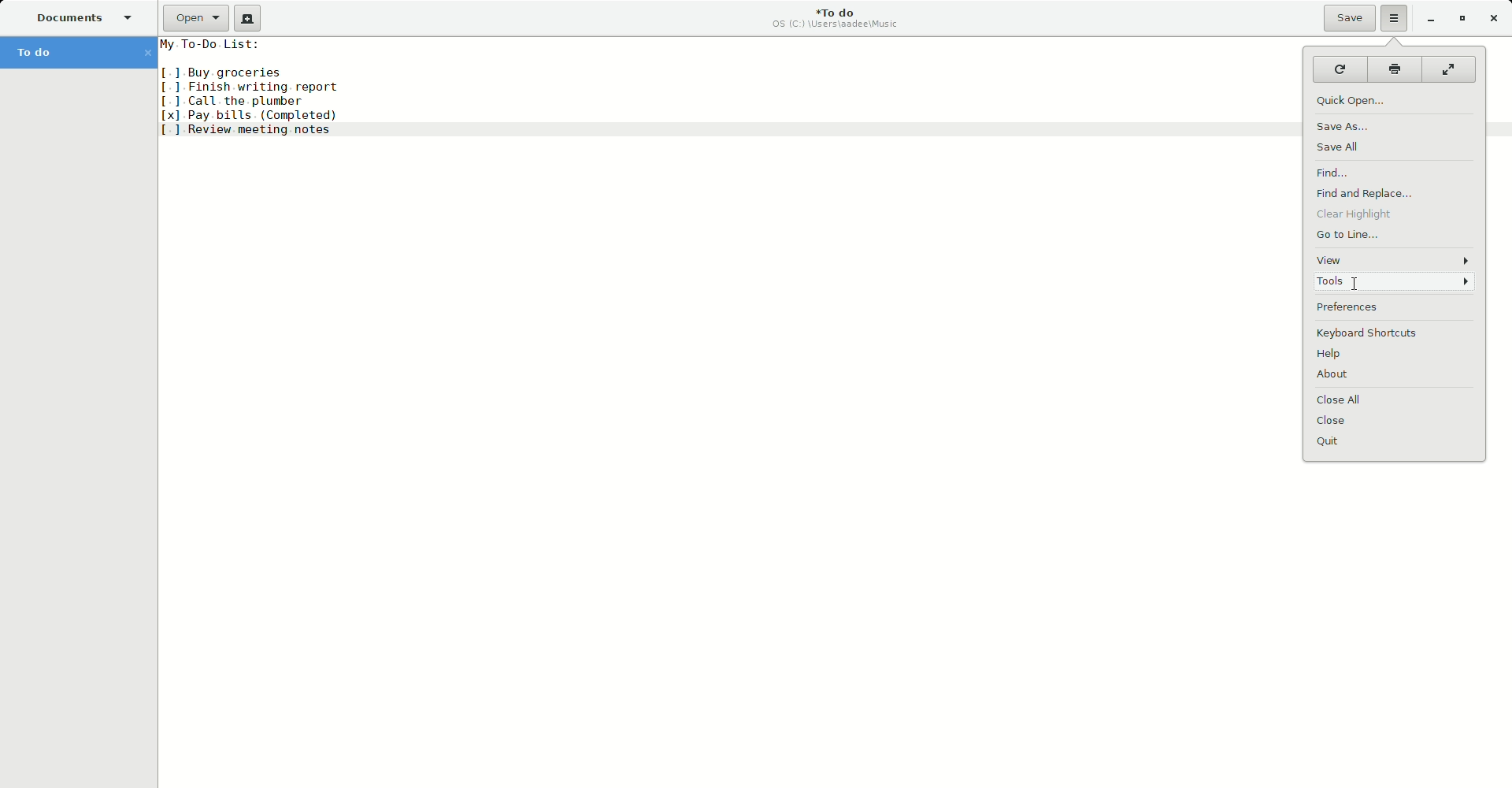 The image size is (1512, 788). What do you see at coordinates (1395, 284) in the screenshot?
I see `Tools` at bounding box center [1395, 284].